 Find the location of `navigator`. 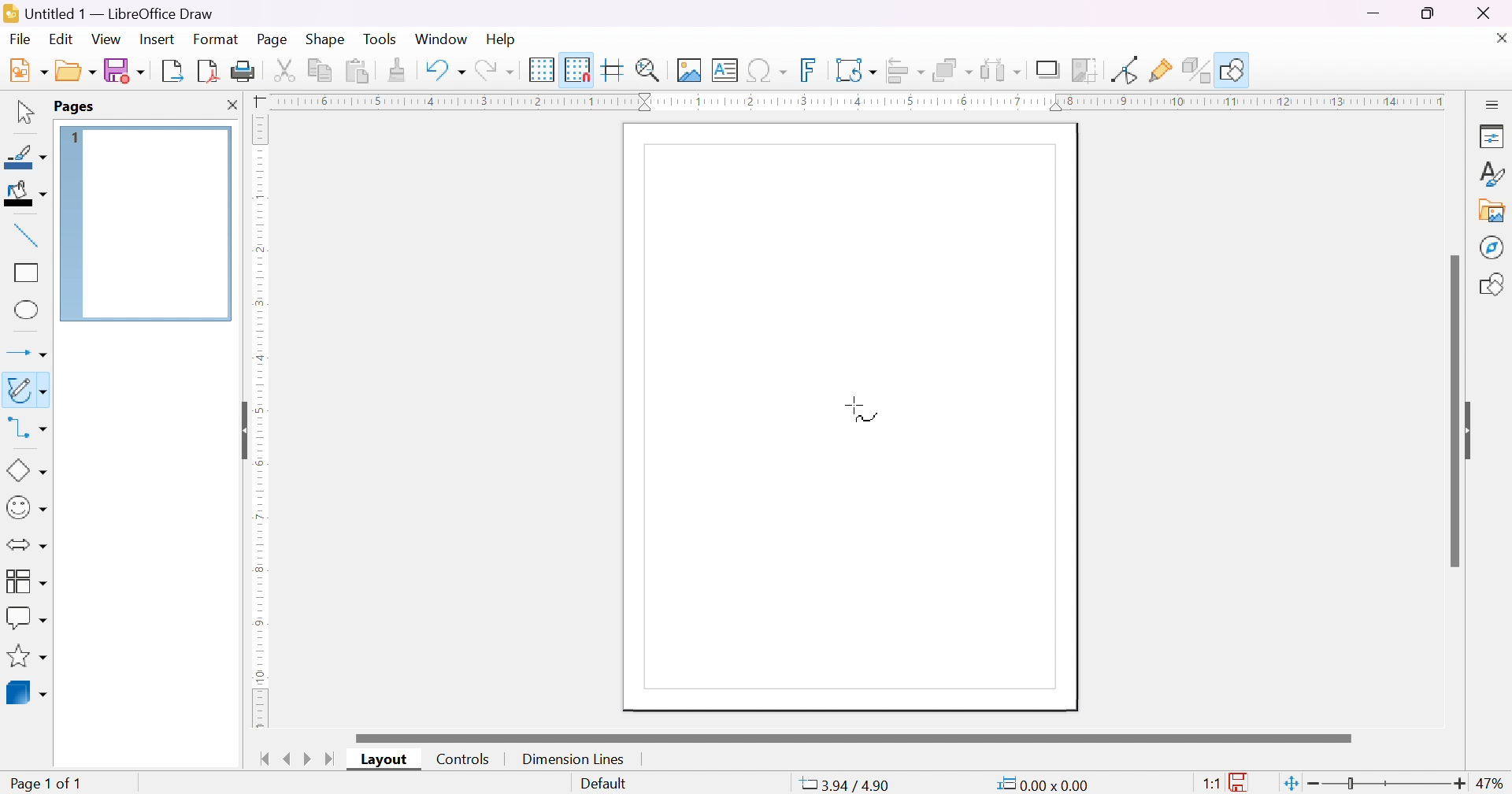

navigator is located at coordinates (1493, 247).